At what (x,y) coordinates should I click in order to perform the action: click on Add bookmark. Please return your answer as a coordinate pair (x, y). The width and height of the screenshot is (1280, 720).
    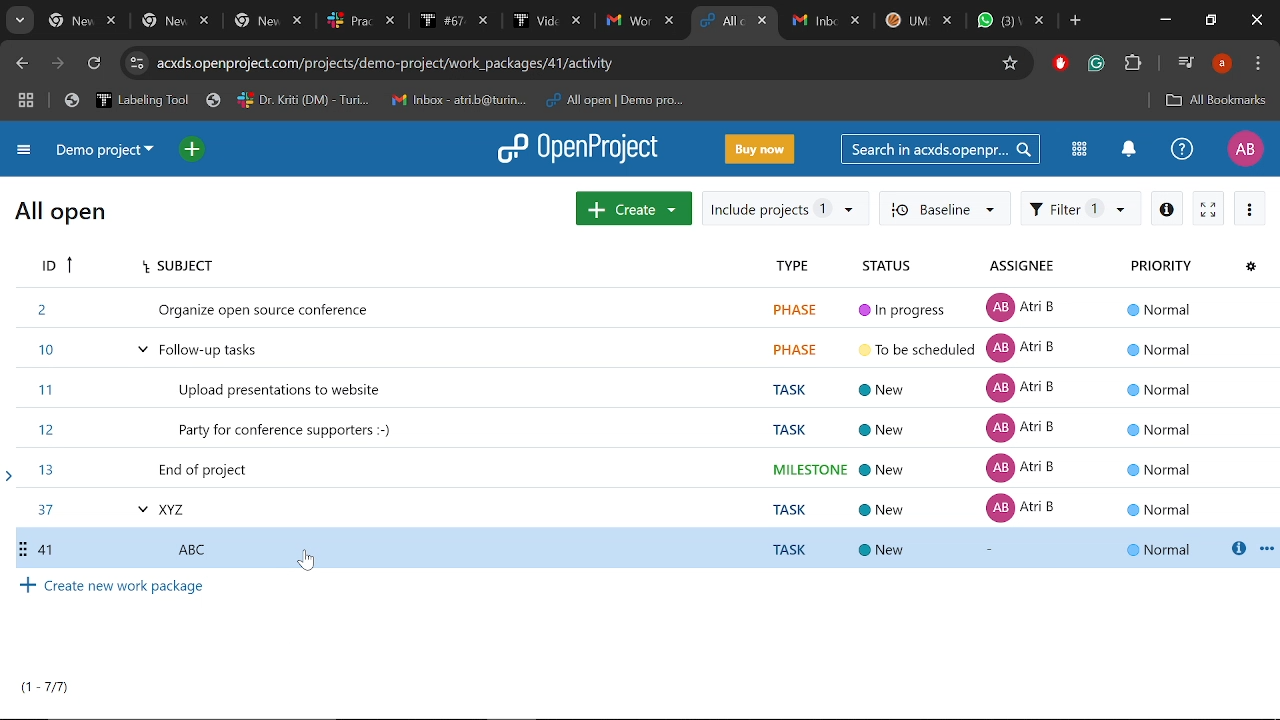
    Looking at the image, I should click on (1215, 100).